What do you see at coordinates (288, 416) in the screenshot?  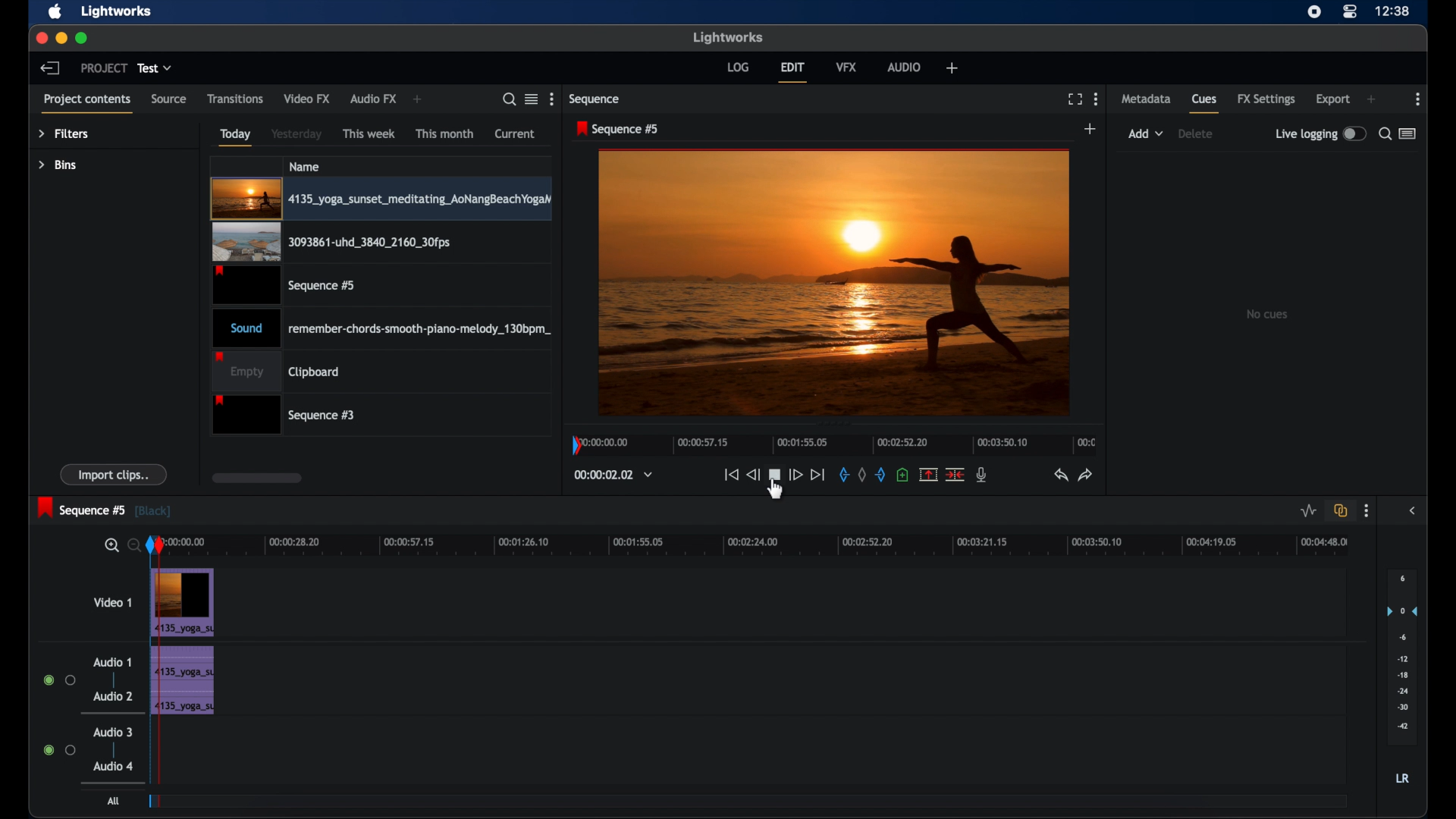 I see `sequence 3` at bounding box center [288, 416].